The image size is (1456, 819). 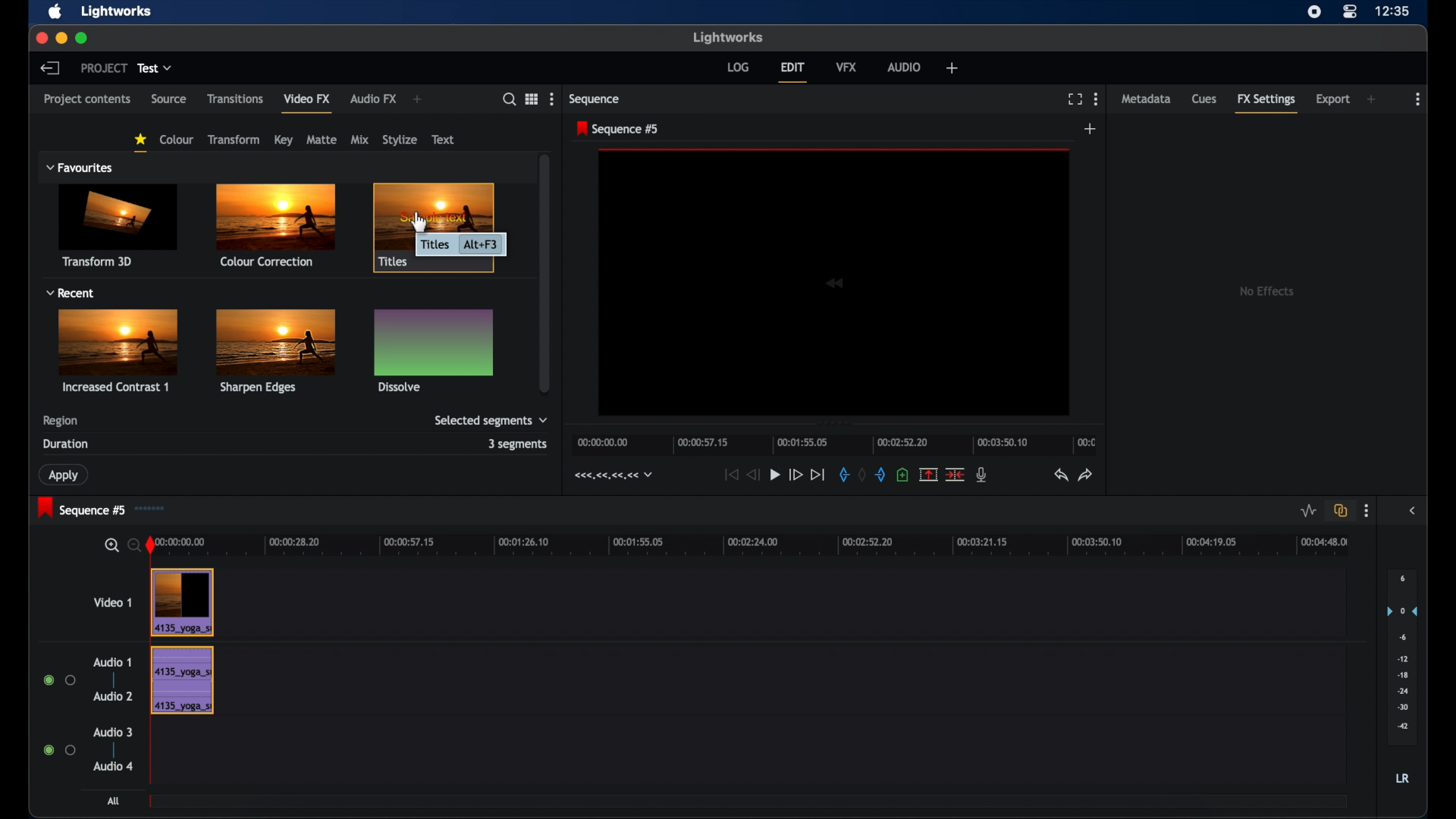 I want to click on add, so click(x=418, y=99).